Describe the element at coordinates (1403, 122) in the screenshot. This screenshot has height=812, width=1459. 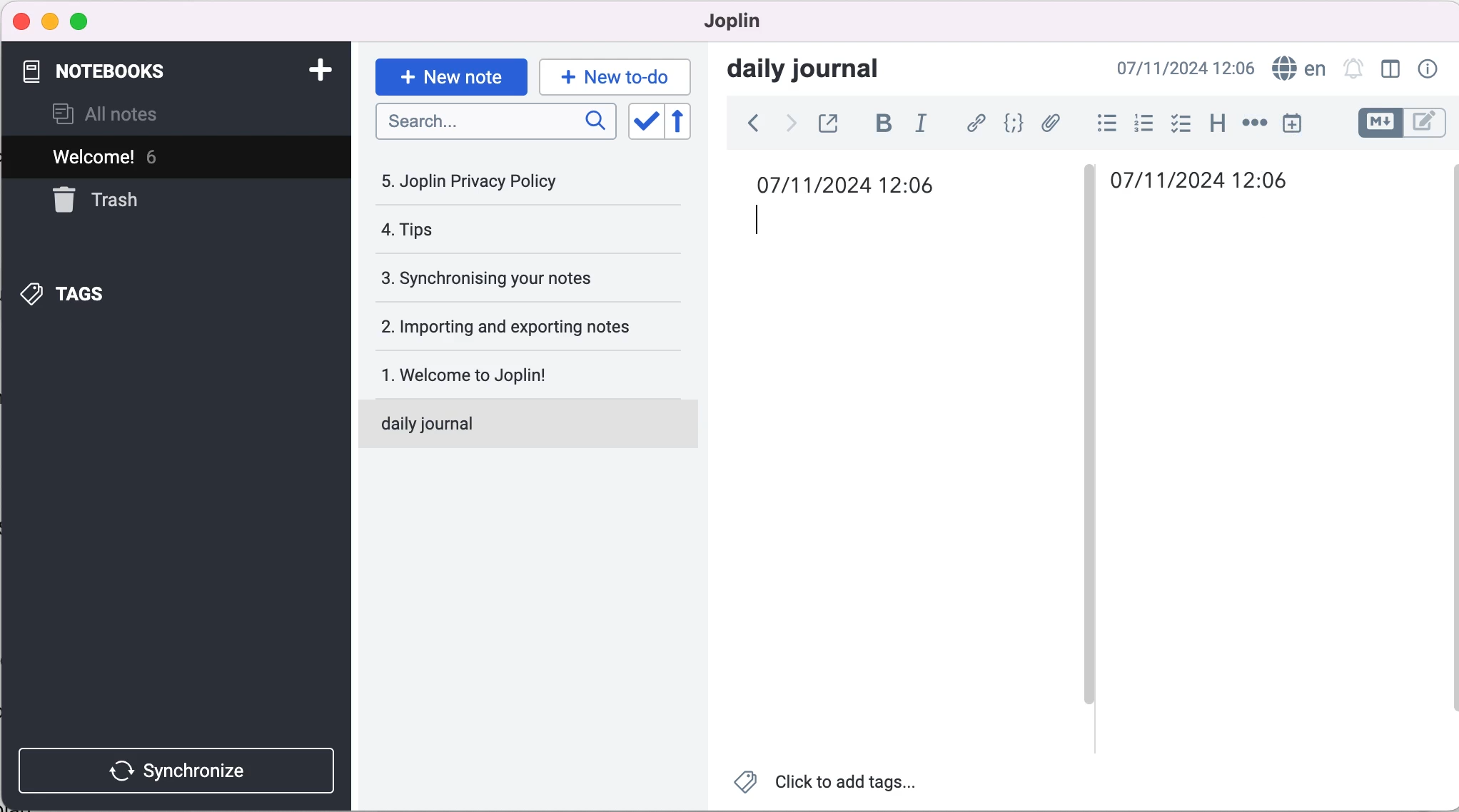
I see `toggle editor` at that location.